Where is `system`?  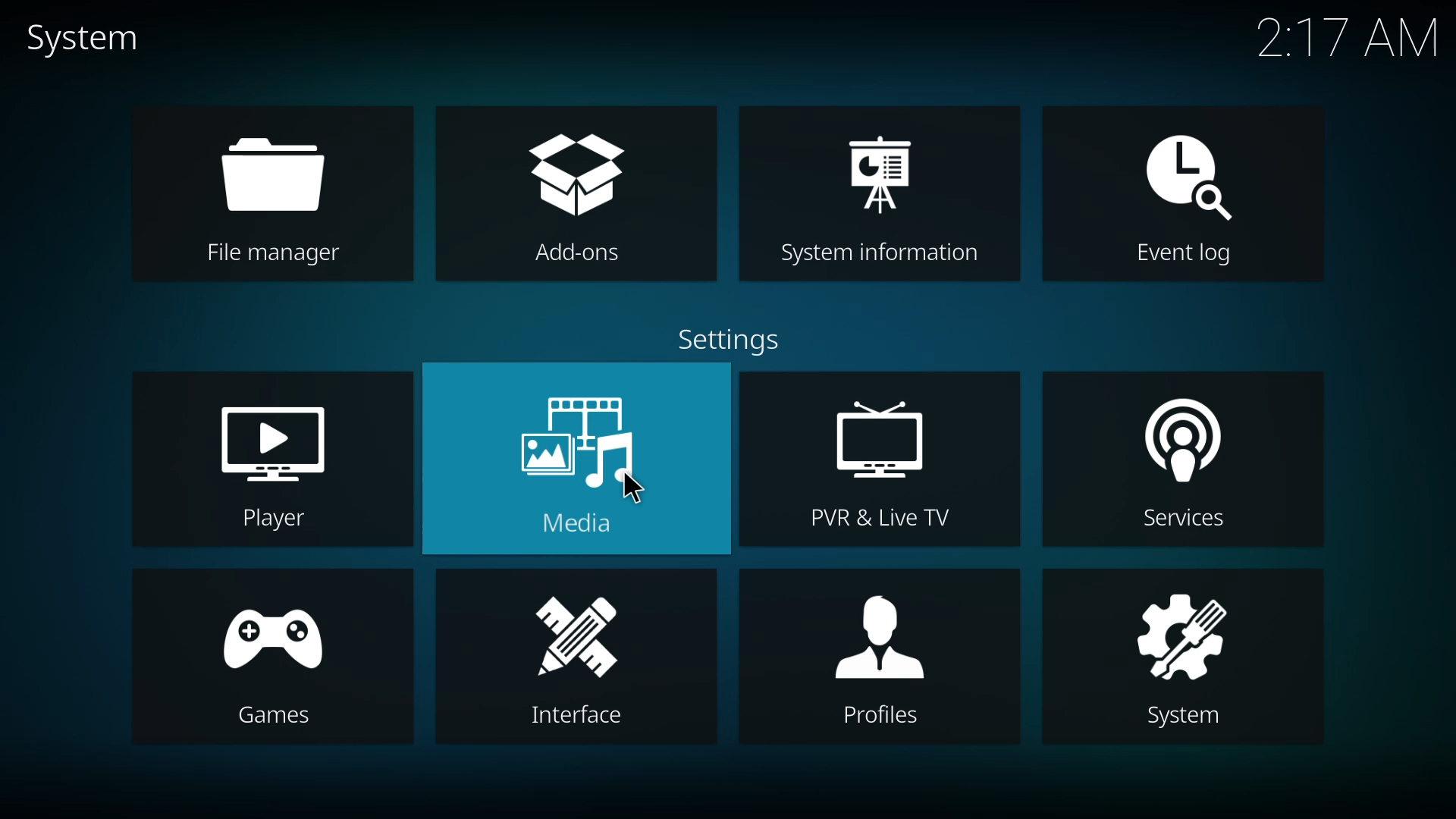 system is located at coordinates (1186, 653).